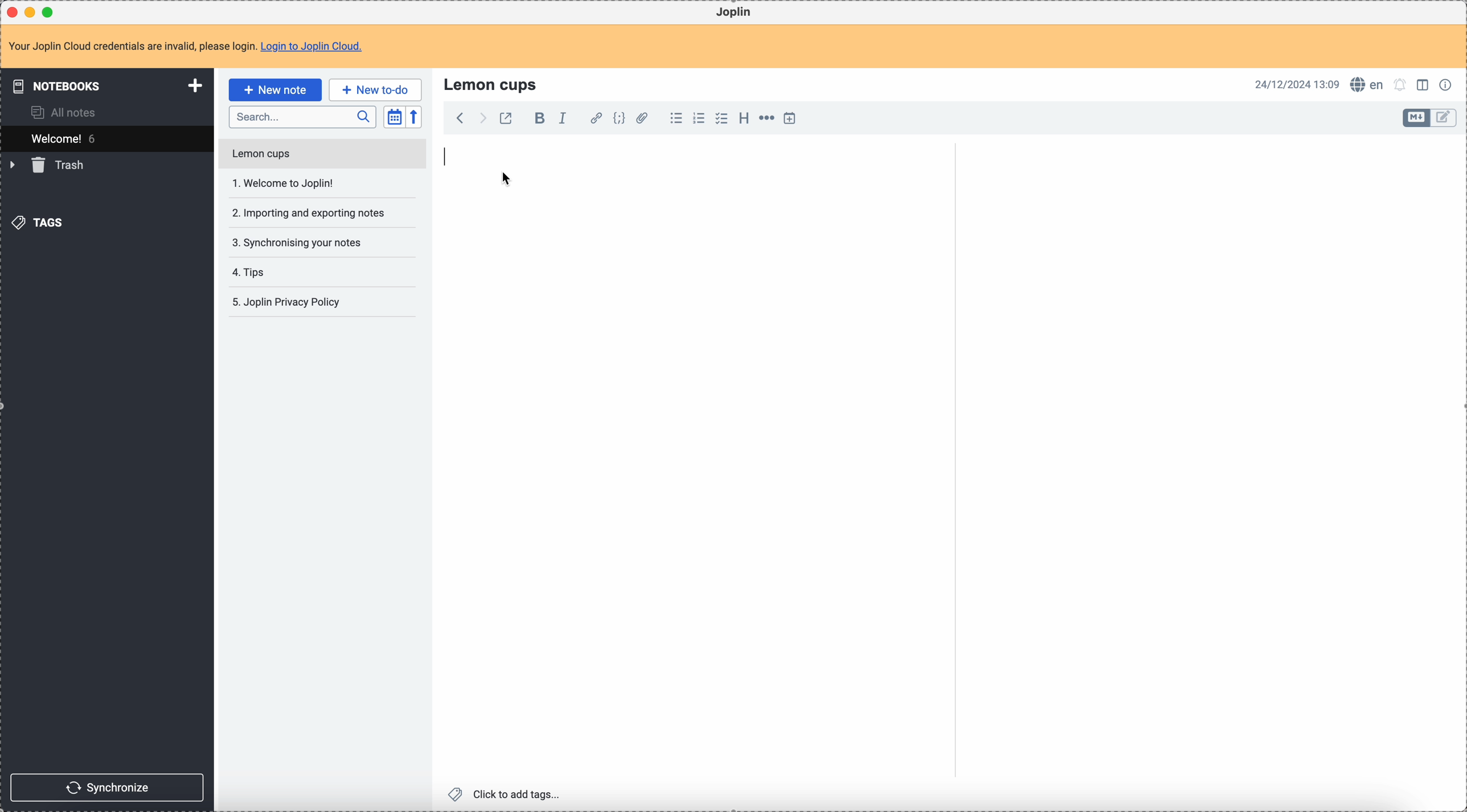 This screenshot has height=812, width=1467. What do you see at coordinates (416, 117) in the screenshot?
I see `reverse sort order` at bounding box center [416, 117].